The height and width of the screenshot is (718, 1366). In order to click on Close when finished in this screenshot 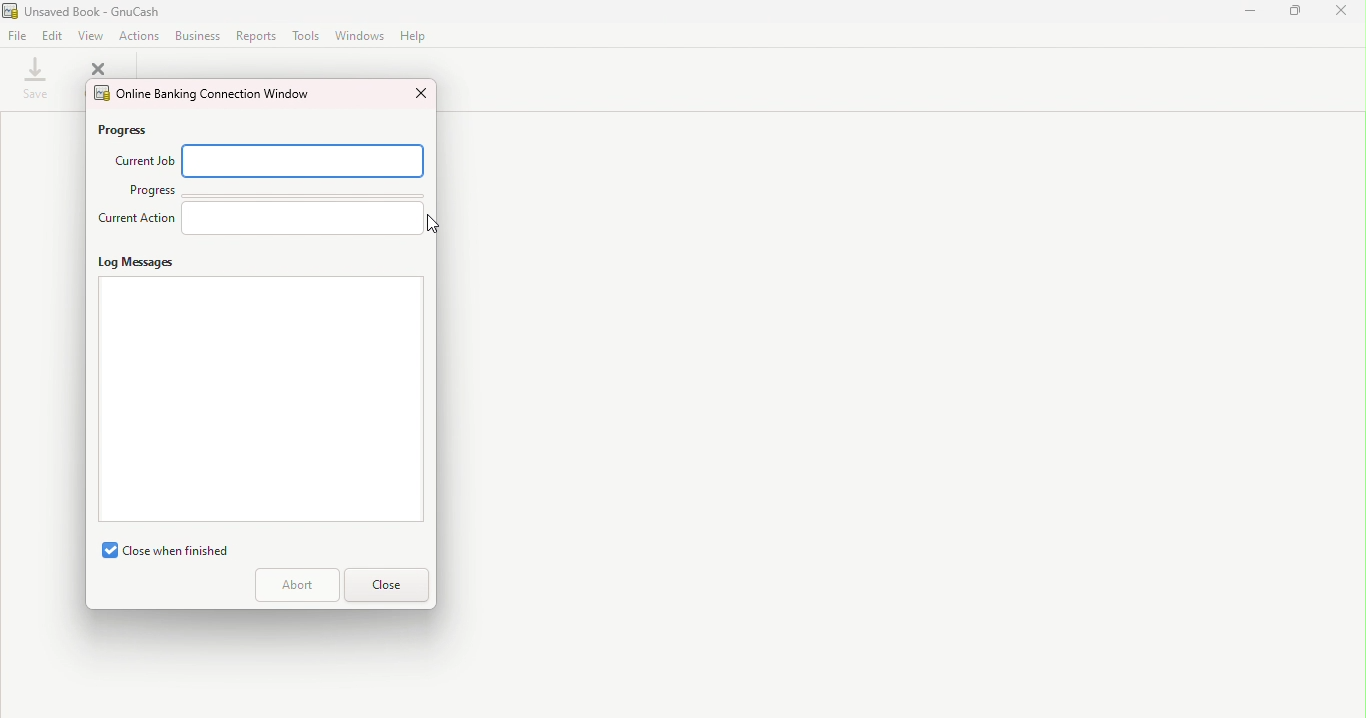, I will do `click(159, 548)`.